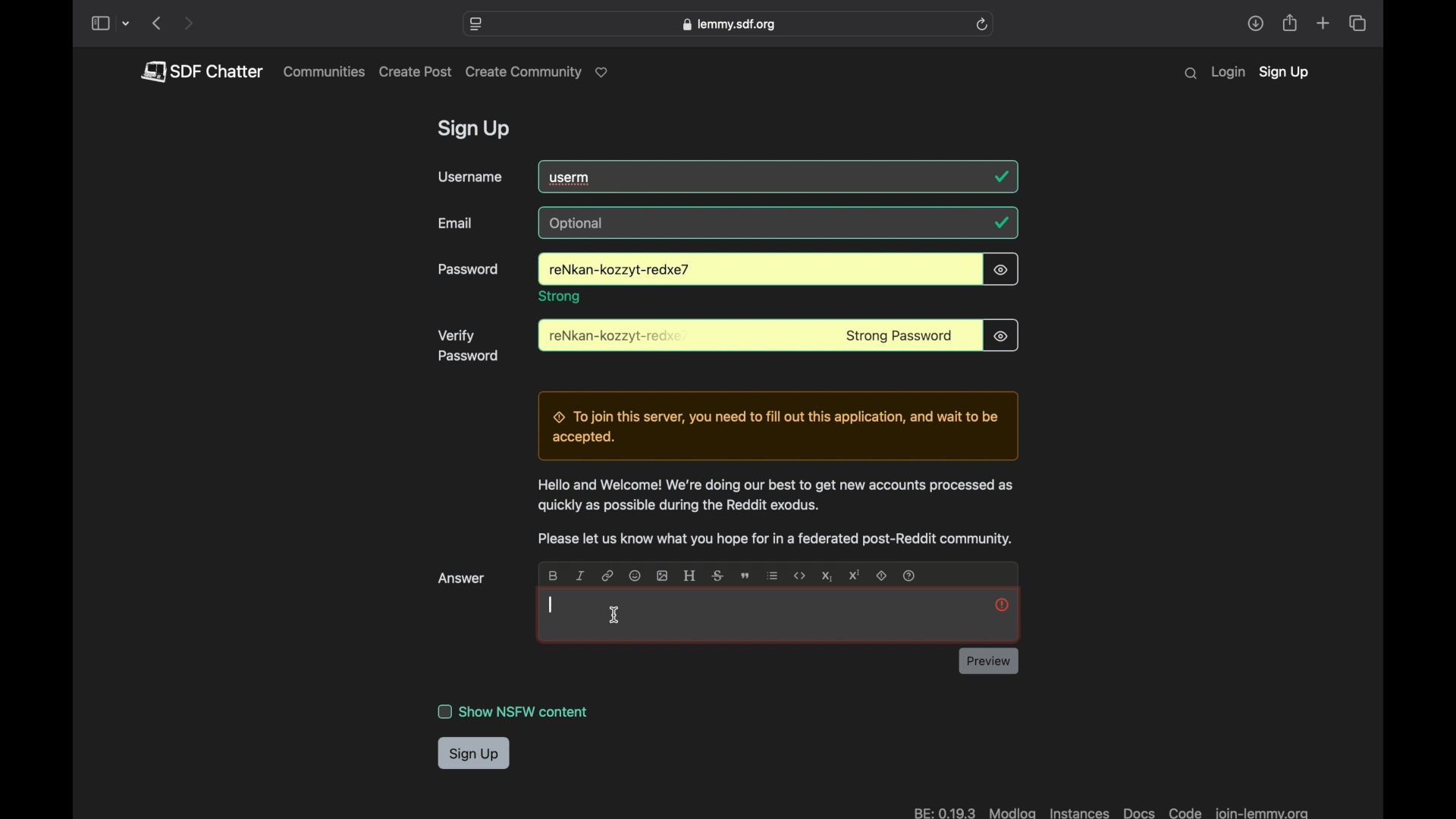 The image size is (1456, 819). Describe the element at coordinates (474, 755) in the screenshot. I see `sign up` at that location.